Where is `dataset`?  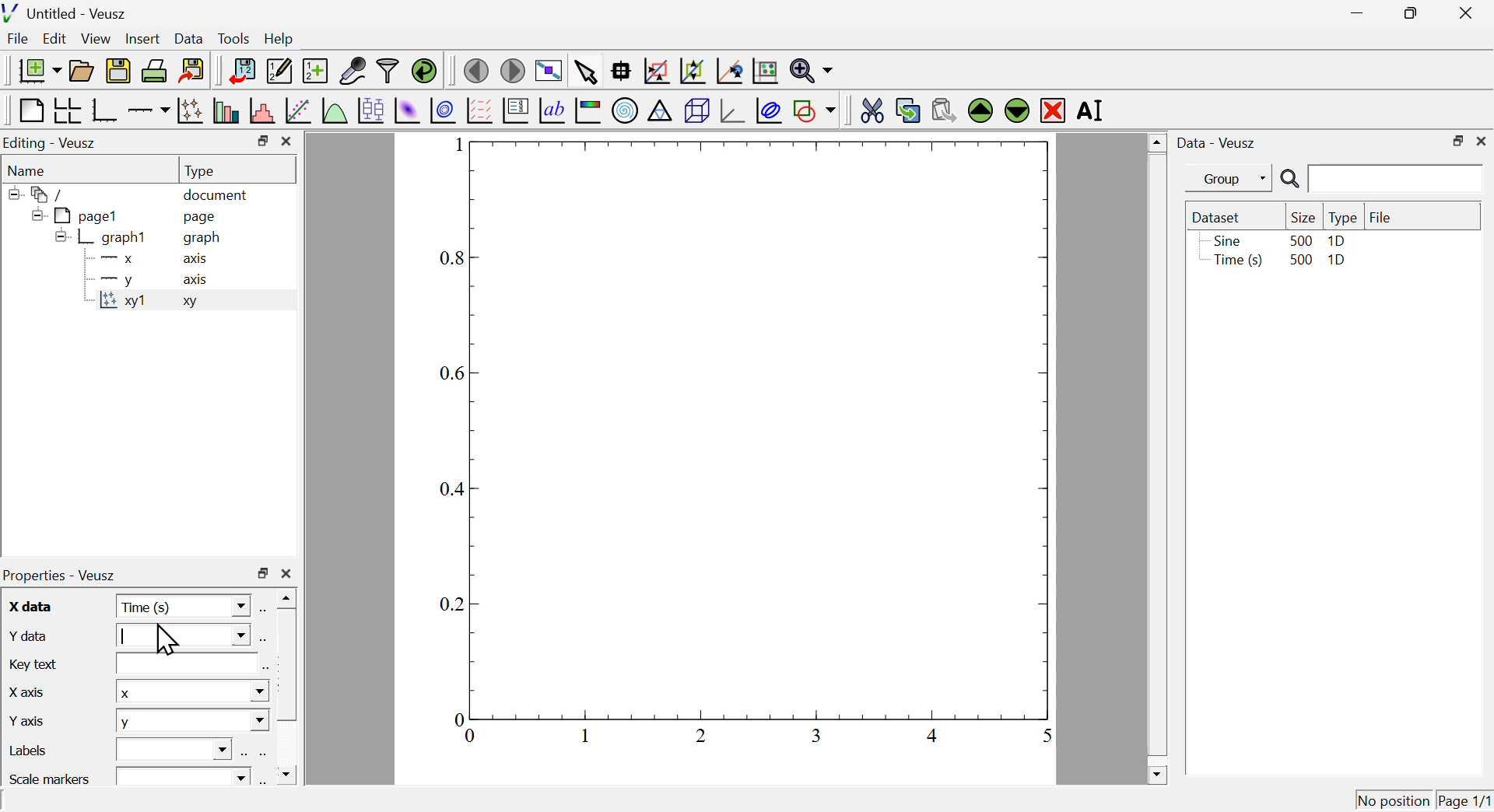 dataset is located at coordinates (1220, 217).